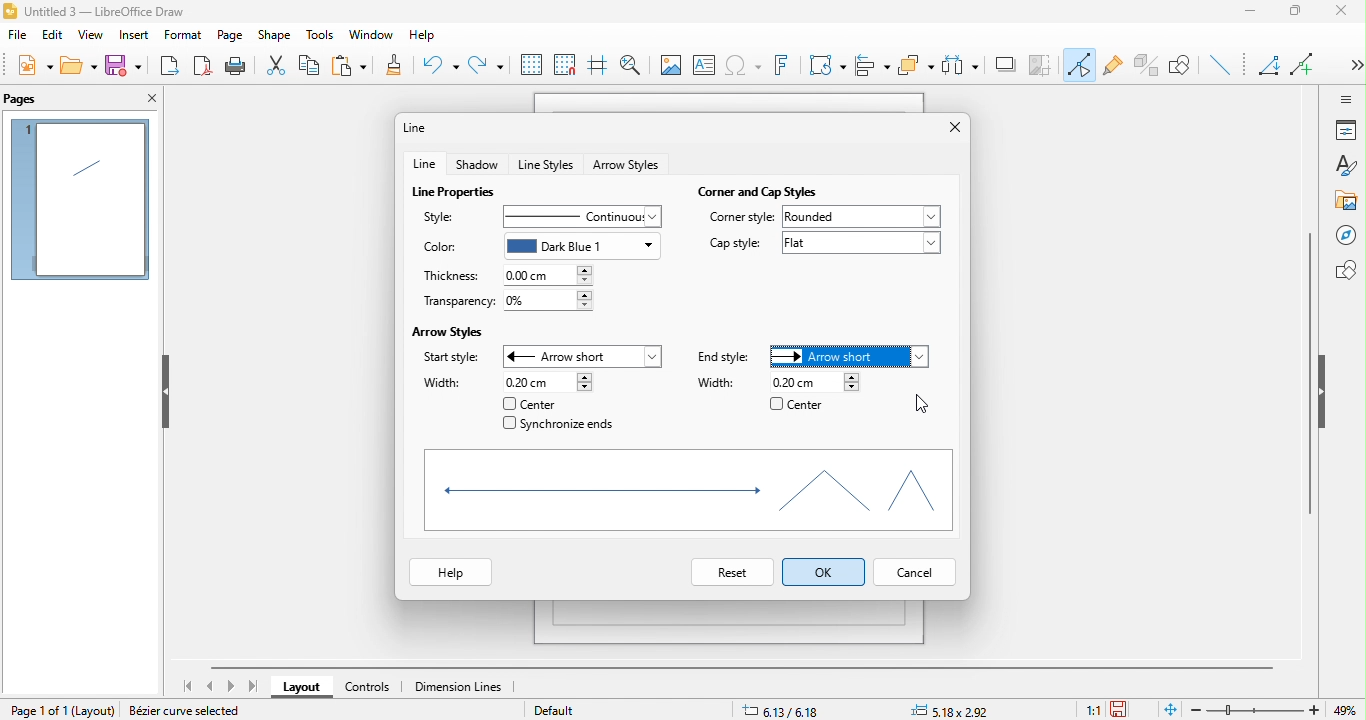 Image resolution: width=1366 pixels, height=720 pixels. Describe the element at coordinates (1278, 710) in the screenshot. I see `zoom` at that location.